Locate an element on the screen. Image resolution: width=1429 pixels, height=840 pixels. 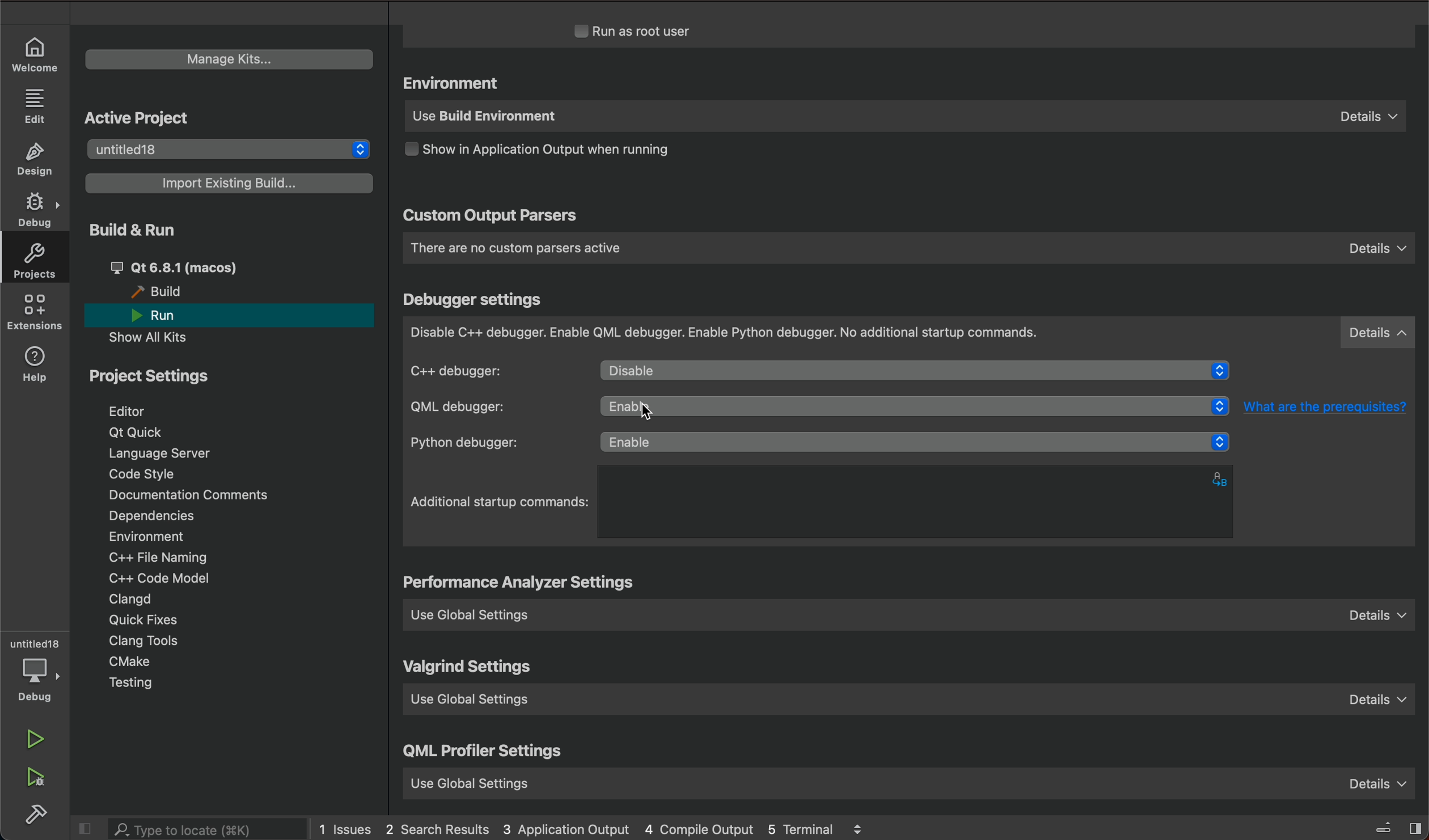
python debugger is located at coordinates (824, 443).